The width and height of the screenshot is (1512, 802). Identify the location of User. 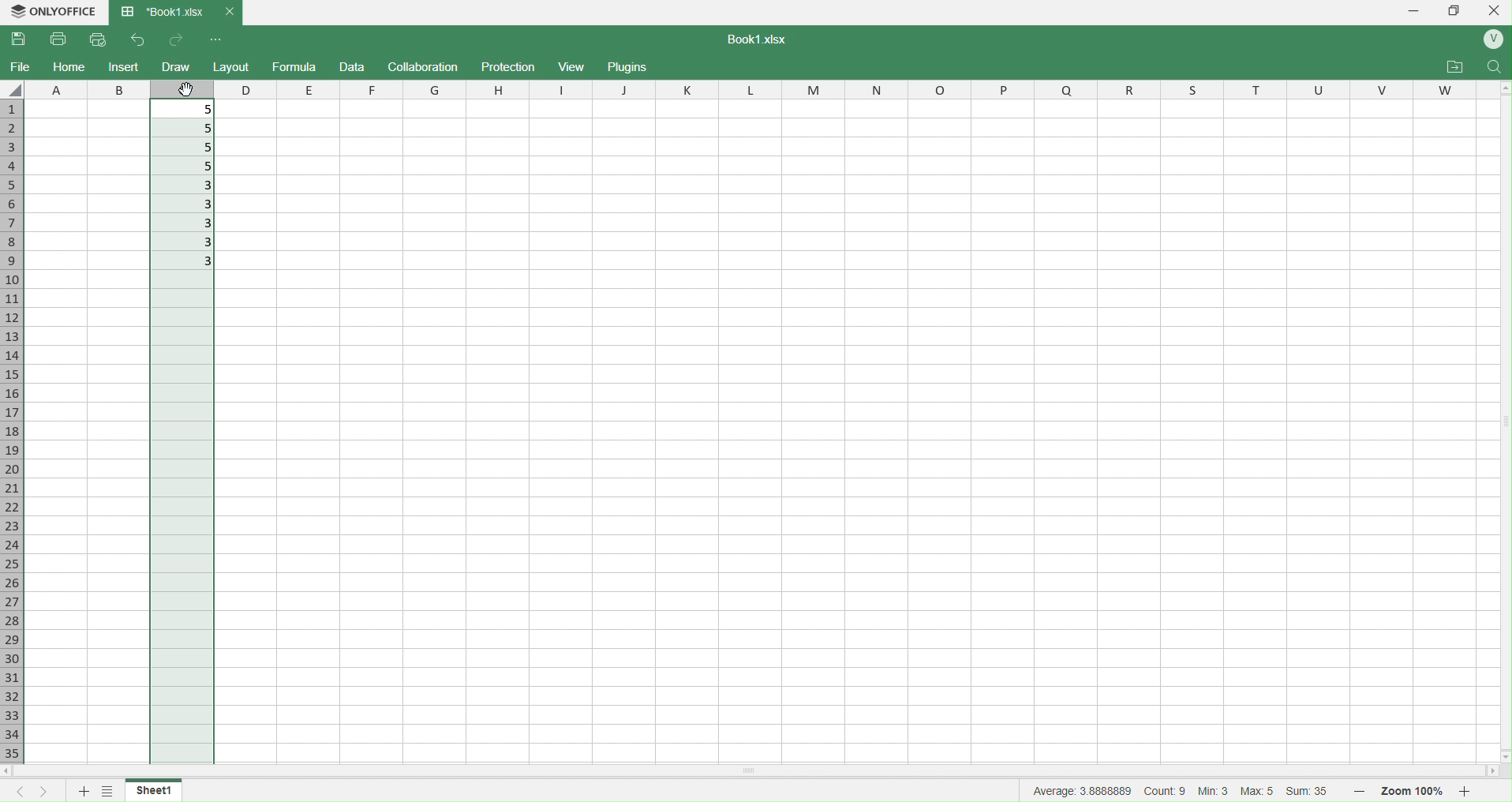
(1491, 40).